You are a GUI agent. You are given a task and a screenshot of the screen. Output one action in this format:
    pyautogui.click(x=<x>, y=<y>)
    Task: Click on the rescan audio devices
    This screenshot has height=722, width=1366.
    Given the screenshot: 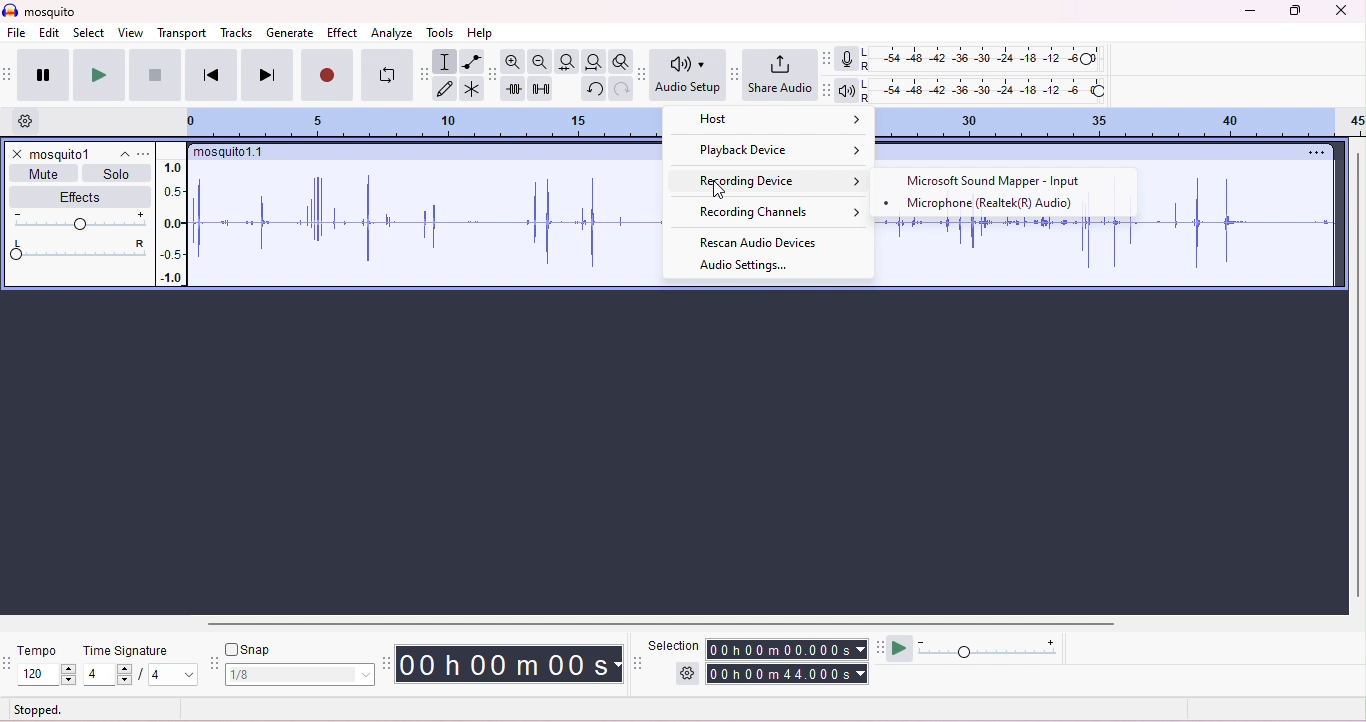 What is the action you would take?
    pyautogui.click(x=761, y=240)
    